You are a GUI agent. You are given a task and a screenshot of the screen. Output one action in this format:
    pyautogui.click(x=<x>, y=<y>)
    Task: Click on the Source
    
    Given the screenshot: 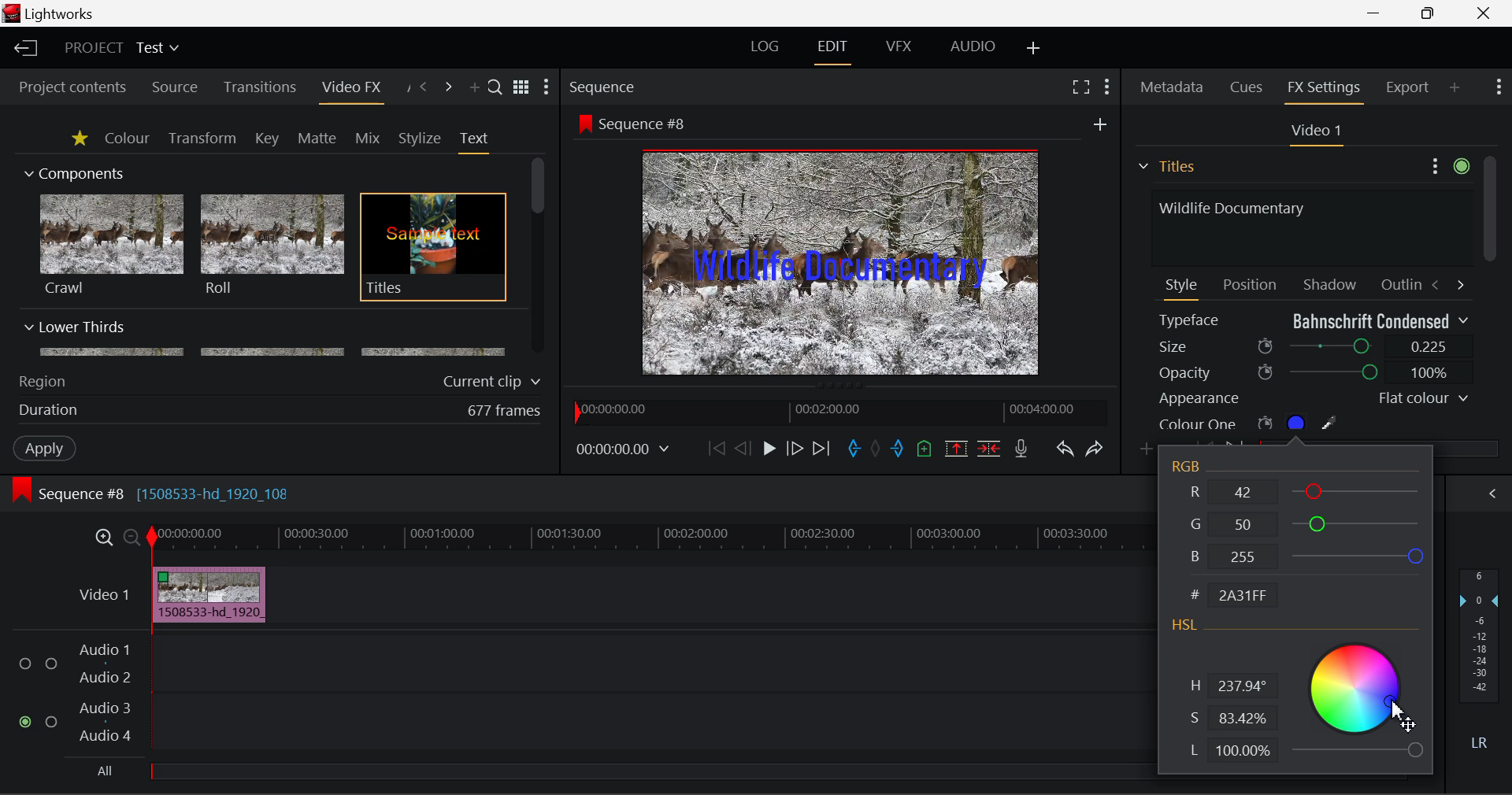 What is the action you would take?
    pyautogui.click(x=175, y=89)
    